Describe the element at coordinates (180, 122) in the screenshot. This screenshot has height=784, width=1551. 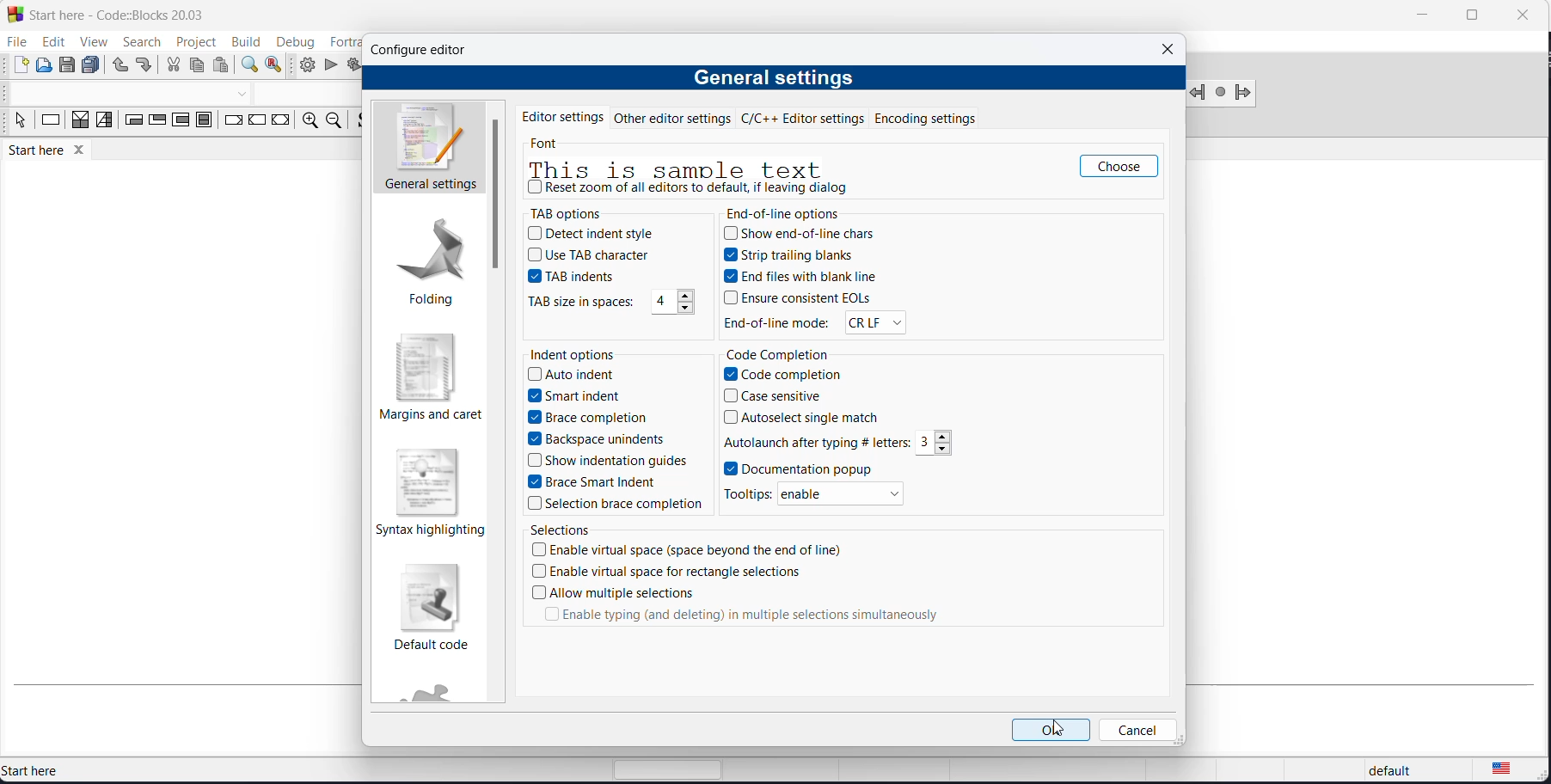
I see `counting loop` at that location.